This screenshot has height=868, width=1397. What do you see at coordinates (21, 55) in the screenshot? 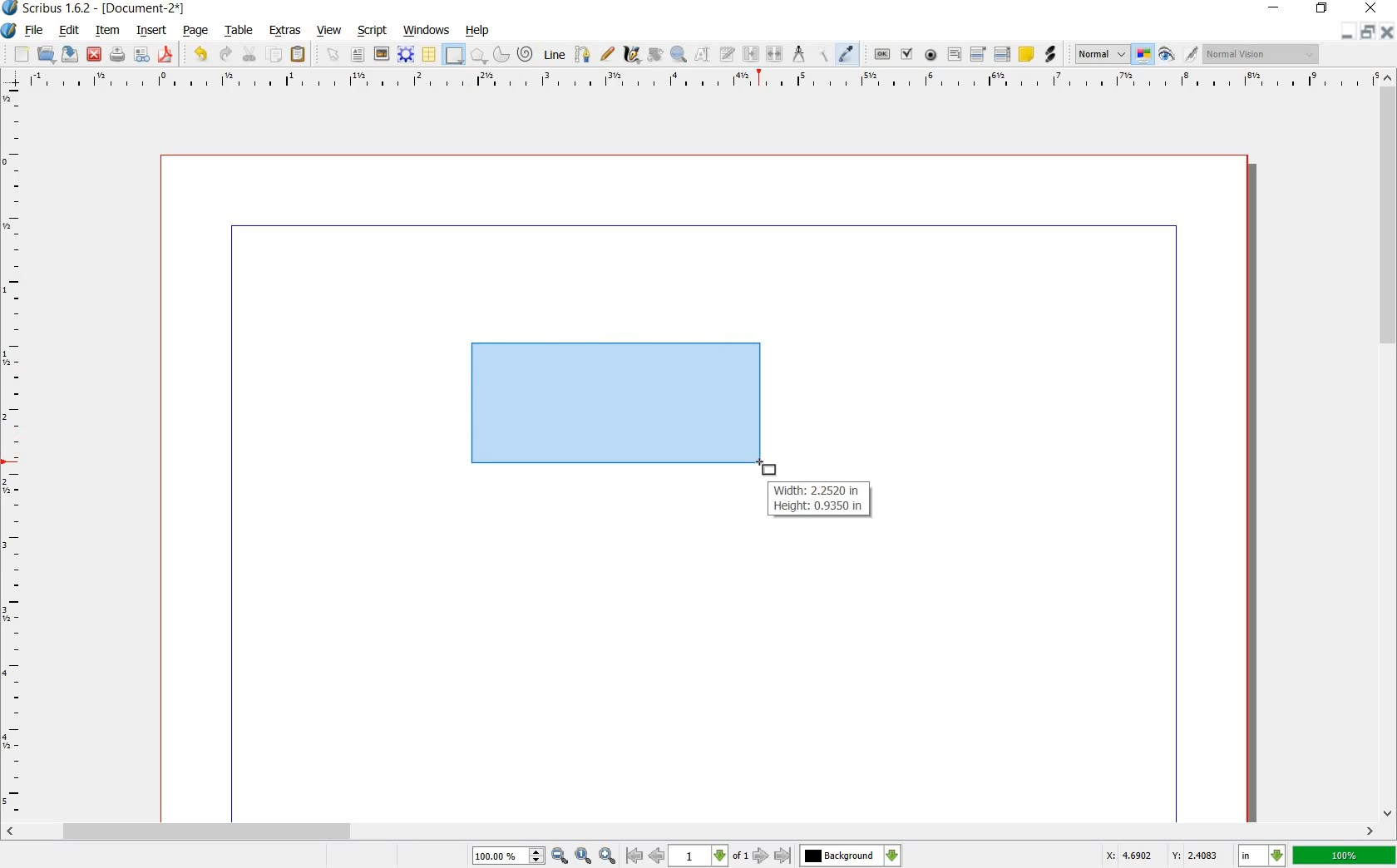
I see `NEW` at bounding box center [21, 55].